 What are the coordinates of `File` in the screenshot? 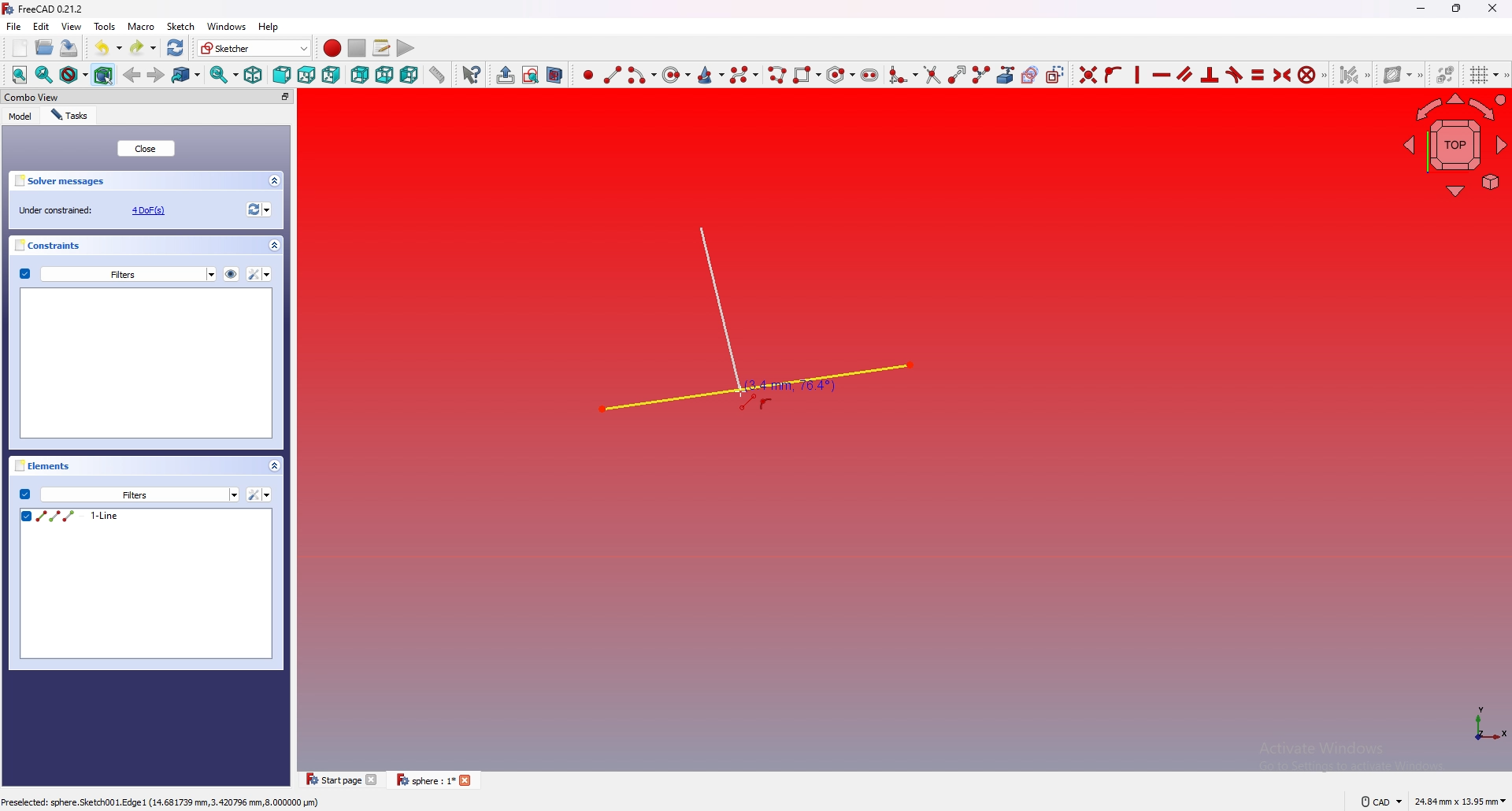 It's located at (13, 27).